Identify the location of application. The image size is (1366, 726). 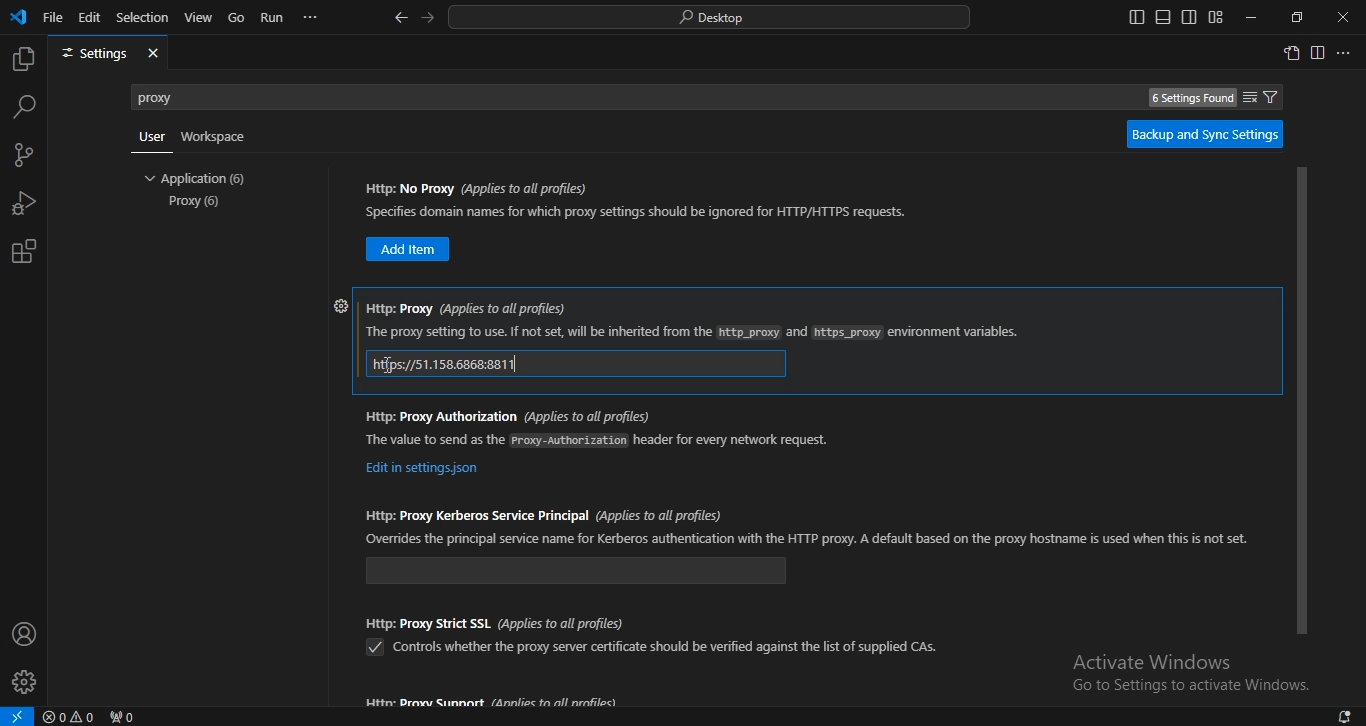
(200, 178).